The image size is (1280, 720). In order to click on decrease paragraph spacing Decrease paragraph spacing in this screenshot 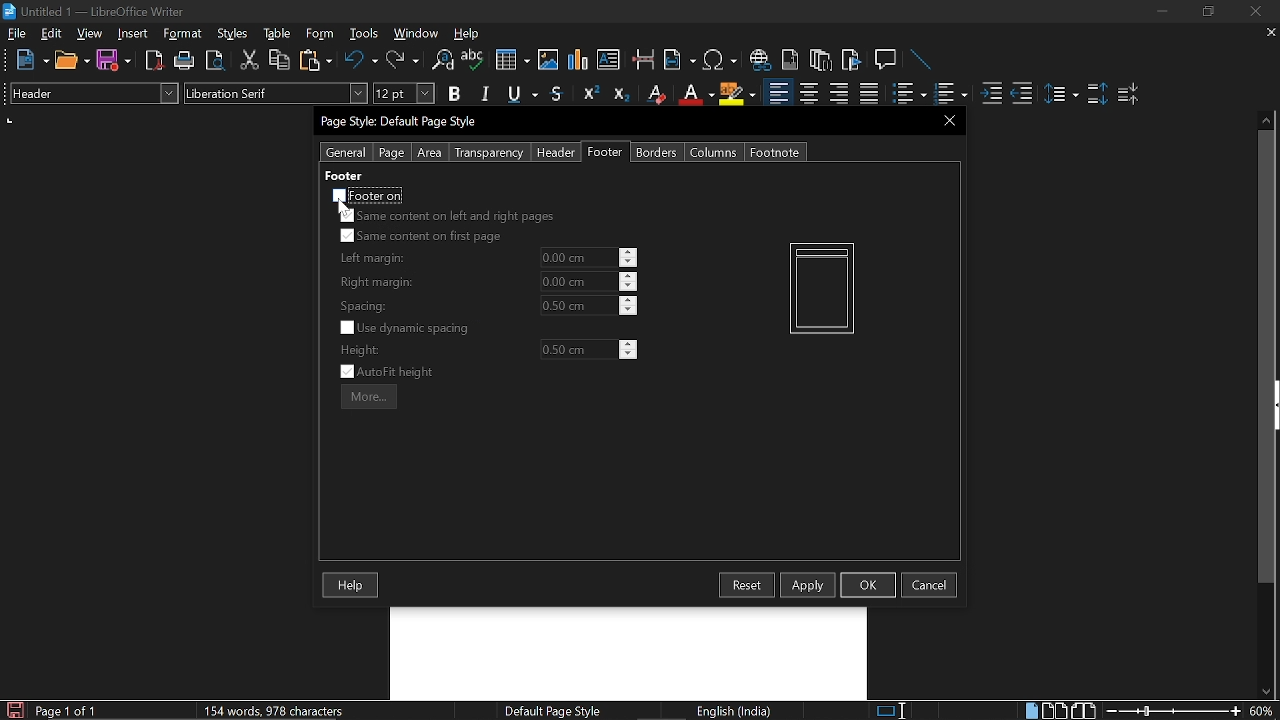, I will do `click(1130, 93)`.